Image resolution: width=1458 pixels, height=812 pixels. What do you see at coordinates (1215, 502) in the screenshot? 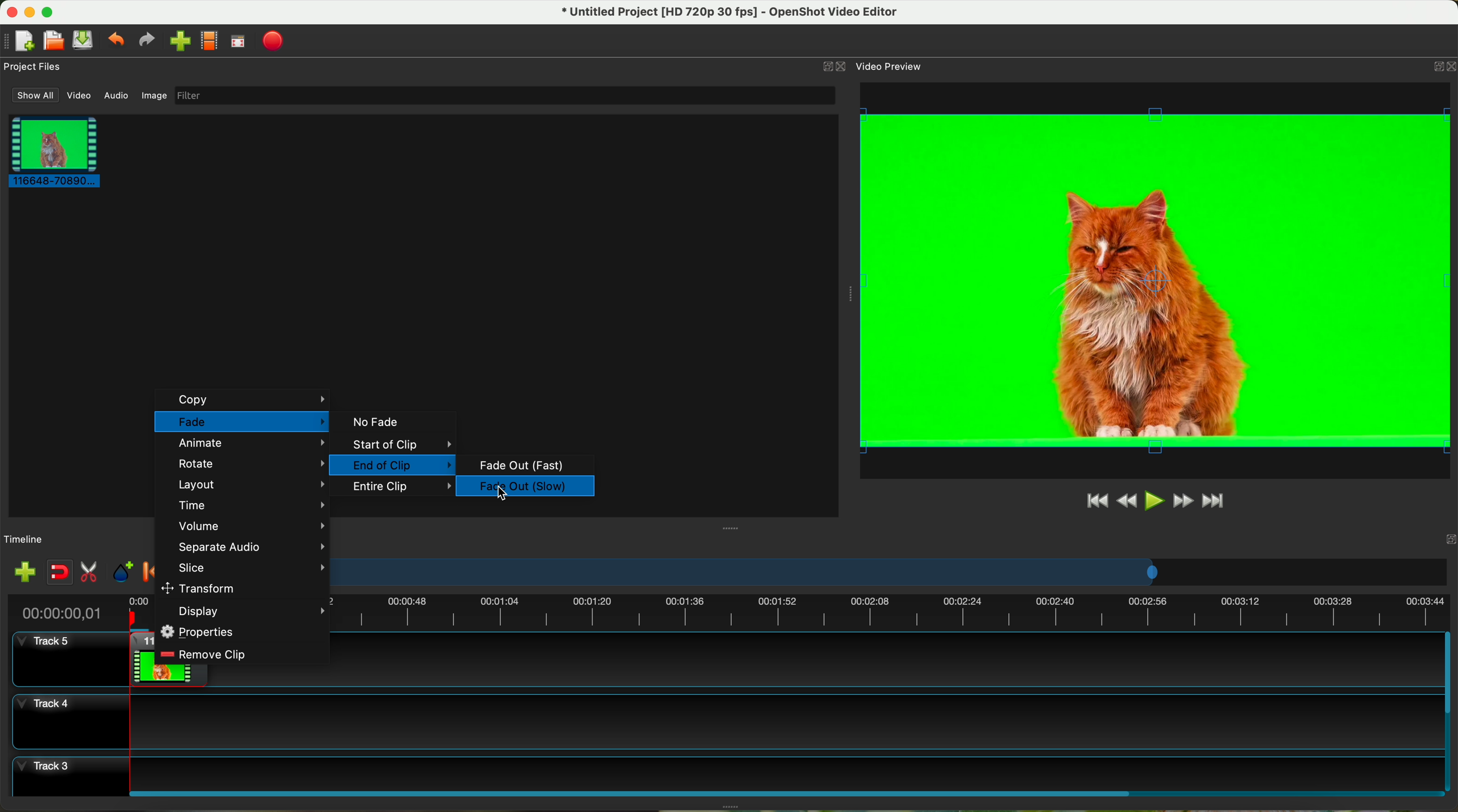
I see `jump to end` at bounding box center [1215, 502].